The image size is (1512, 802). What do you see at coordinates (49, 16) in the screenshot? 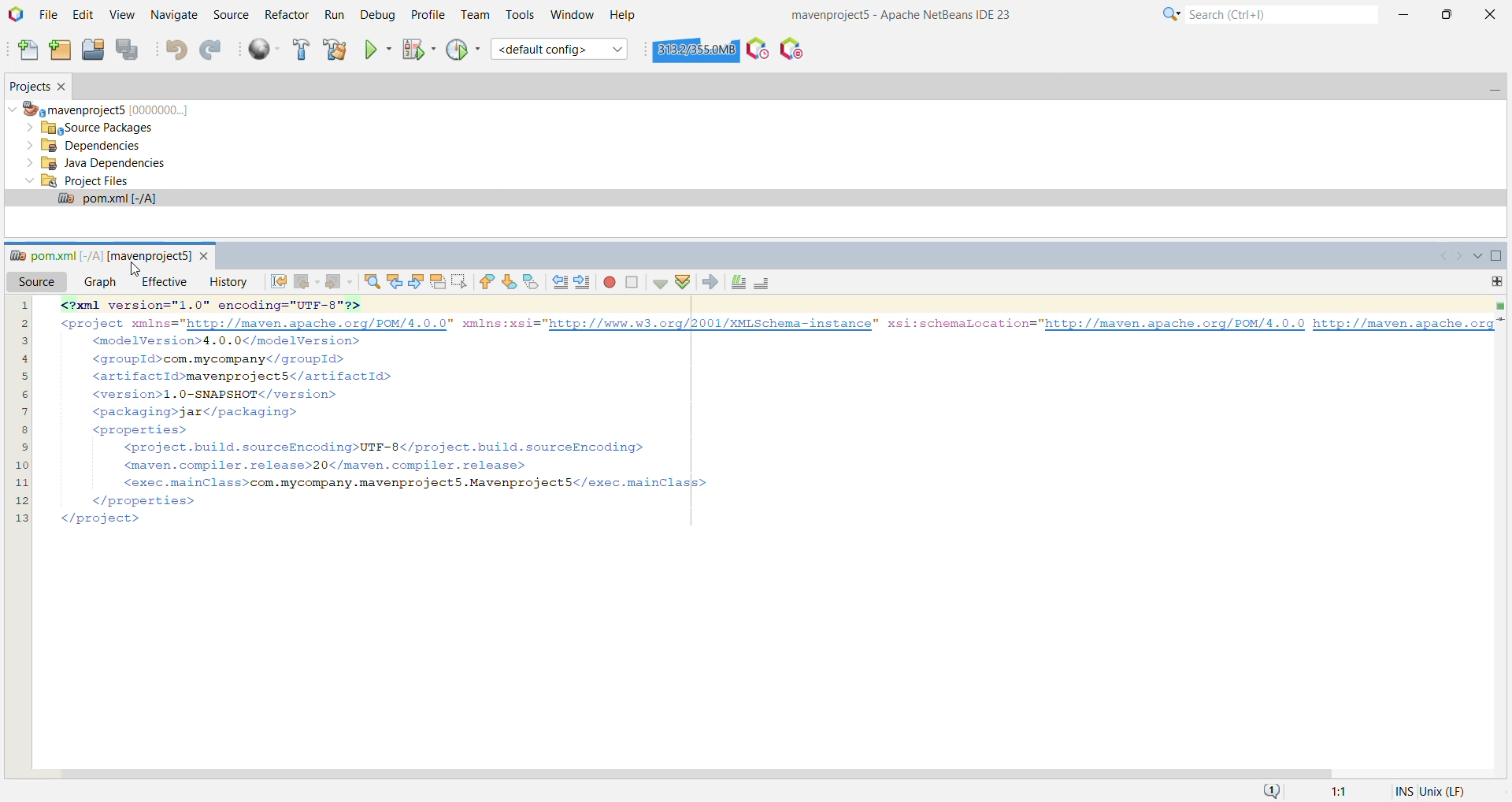
I see `File` at bounding box center [49, 16].